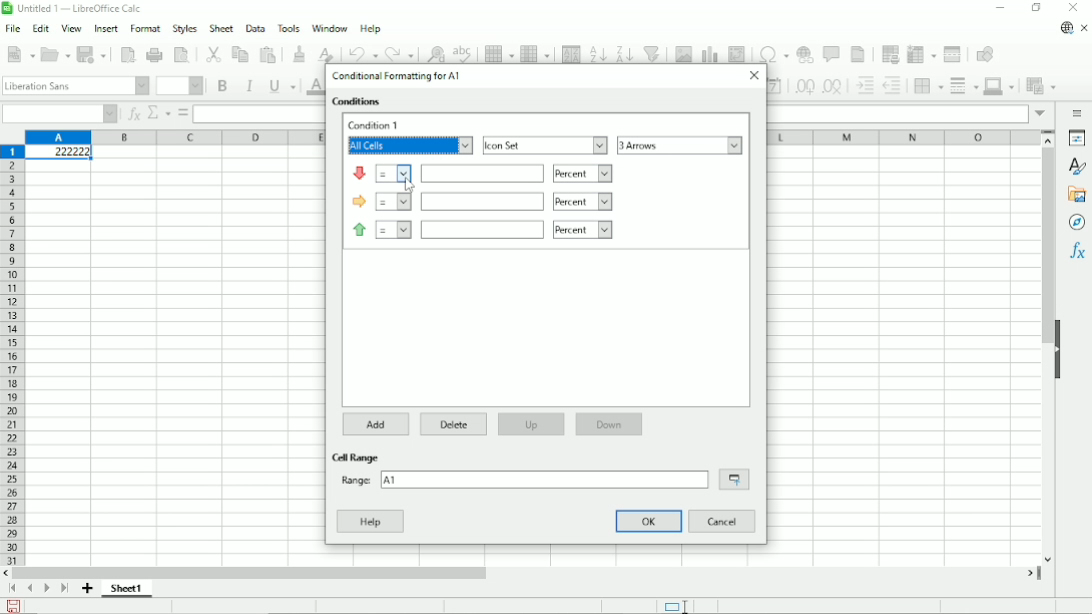  I want to click on Sidebar settings, so click(1078, 112).